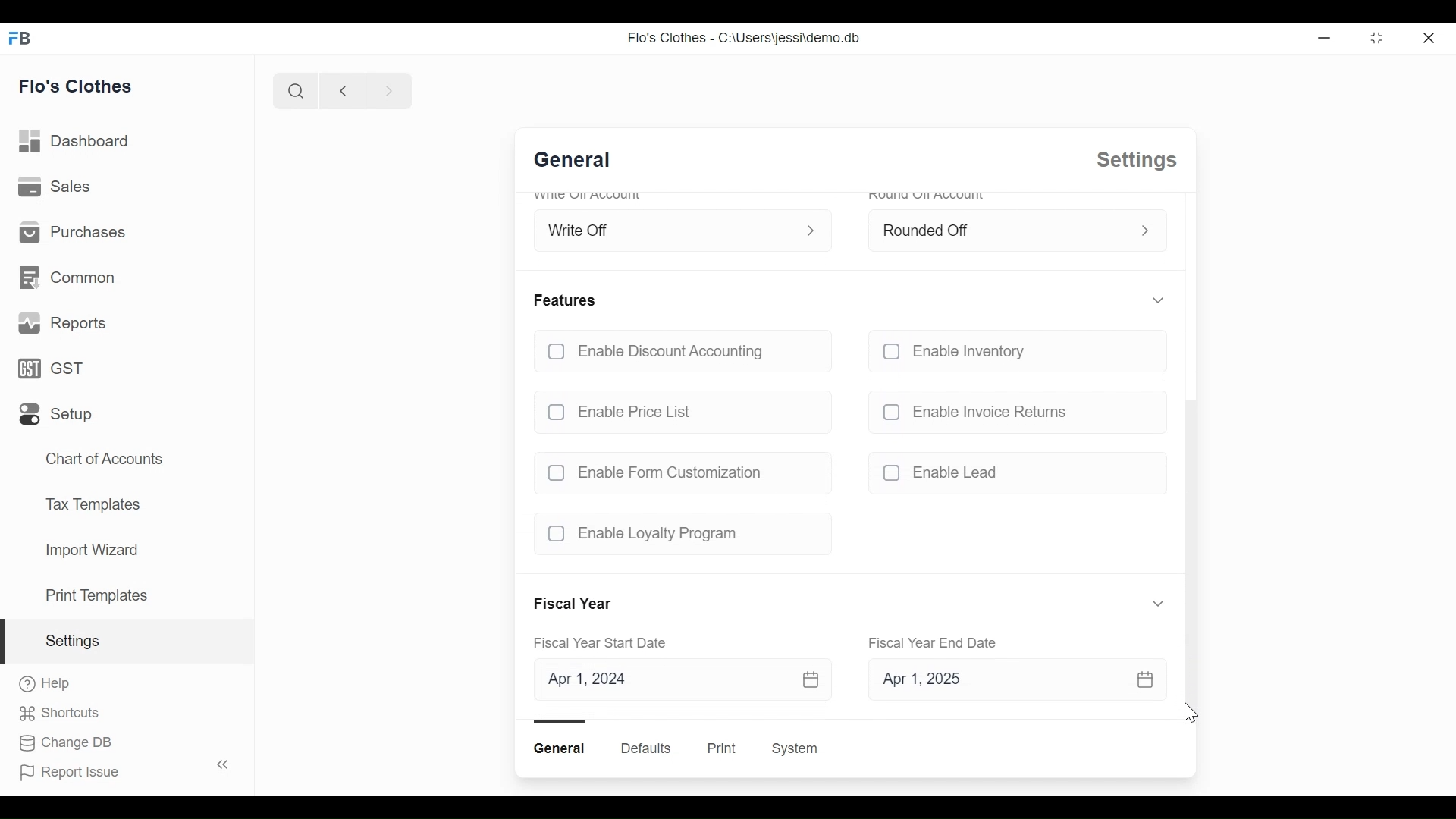  I want to click on General, so click(562, 748).